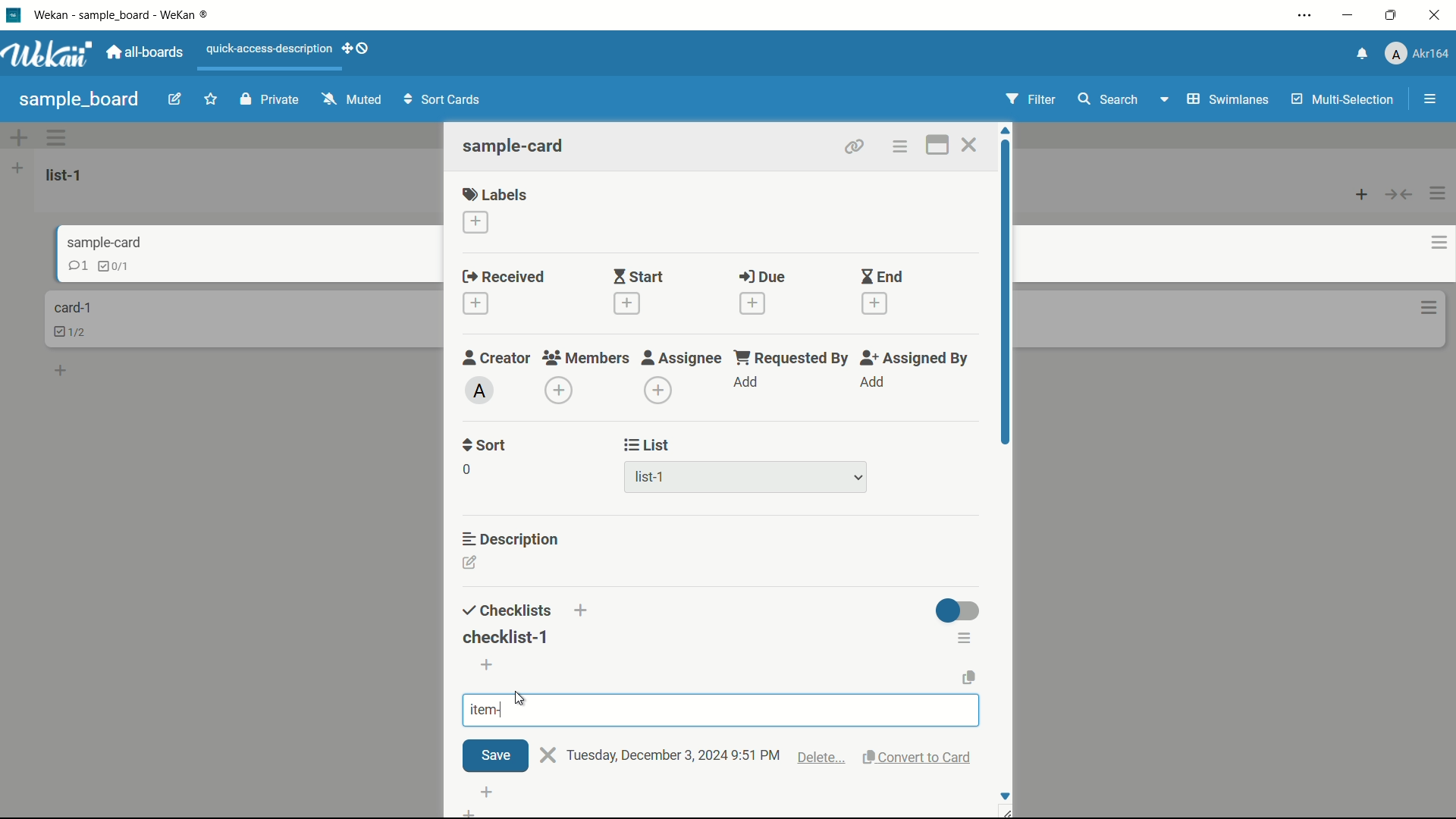 Image resolution: width=1456 pixels, height=819 pixels. What do you see at coordinates (970, 144) in the screenshot?
I see `close card` at bounding box center [970, 144].